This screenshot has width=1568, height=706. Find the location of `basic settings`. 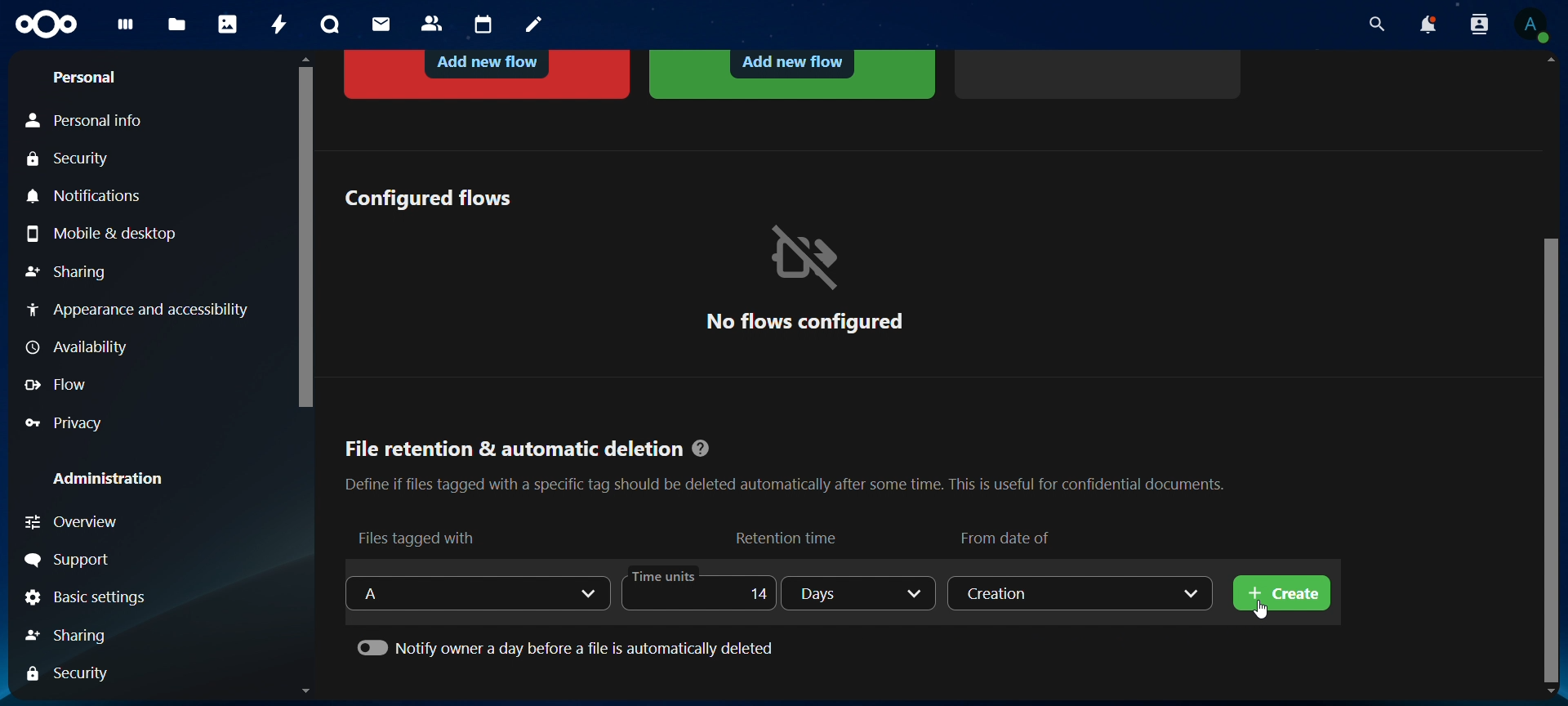

basic settings is located at coordinates (87, 599).